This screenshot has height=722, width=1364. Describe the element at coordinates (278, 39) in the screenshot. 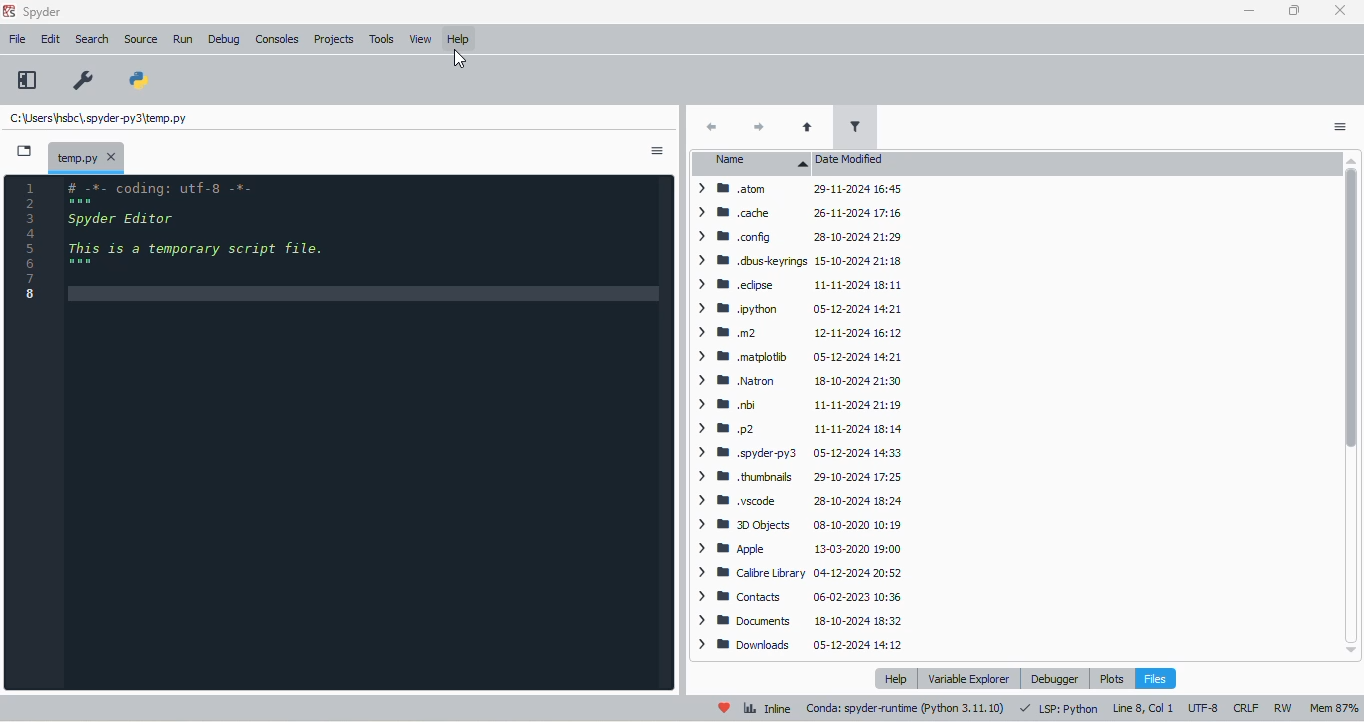

I see `consoles` at that location.